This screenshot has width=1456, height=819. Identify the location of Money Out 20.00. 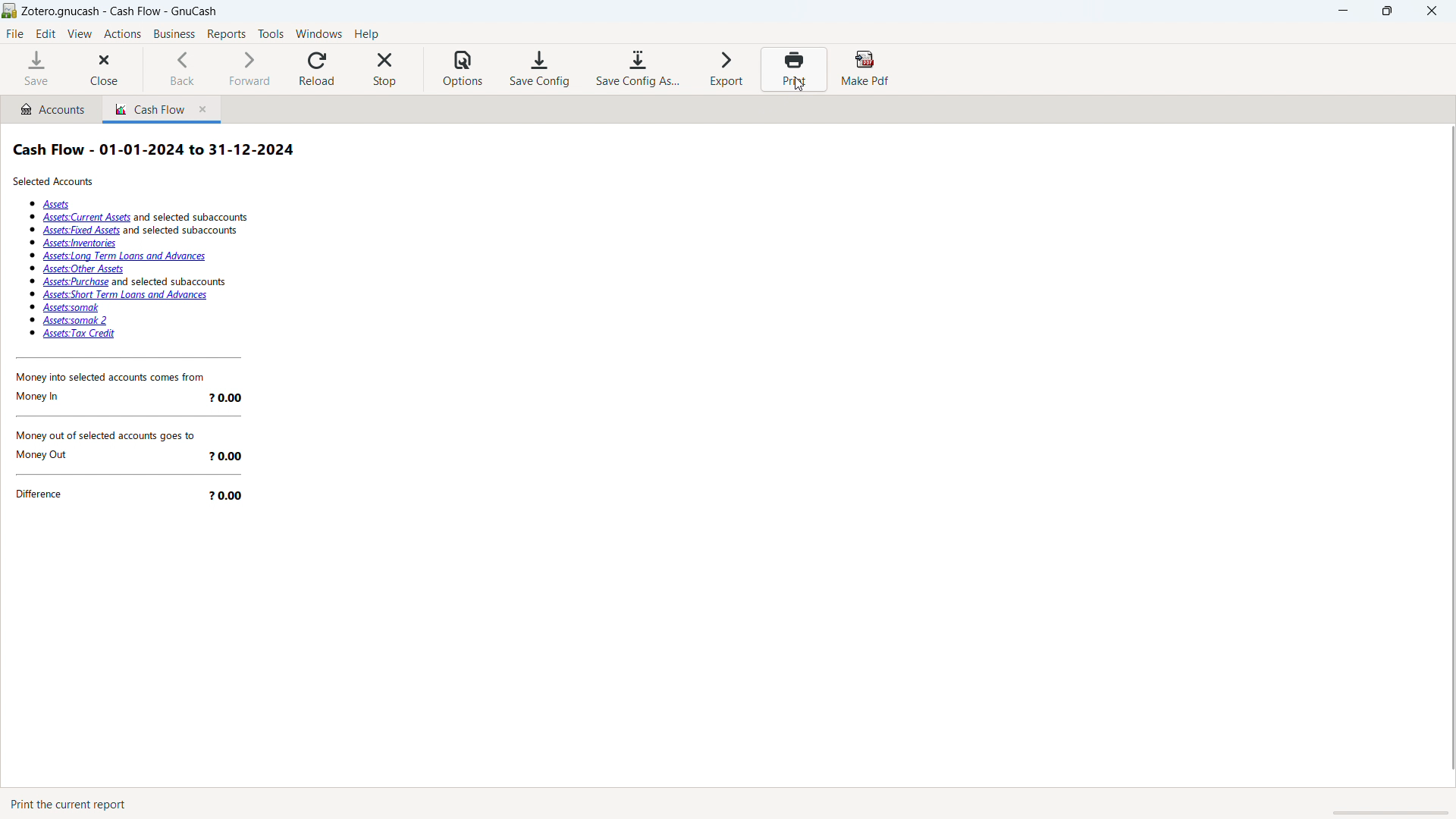
(133, 454).